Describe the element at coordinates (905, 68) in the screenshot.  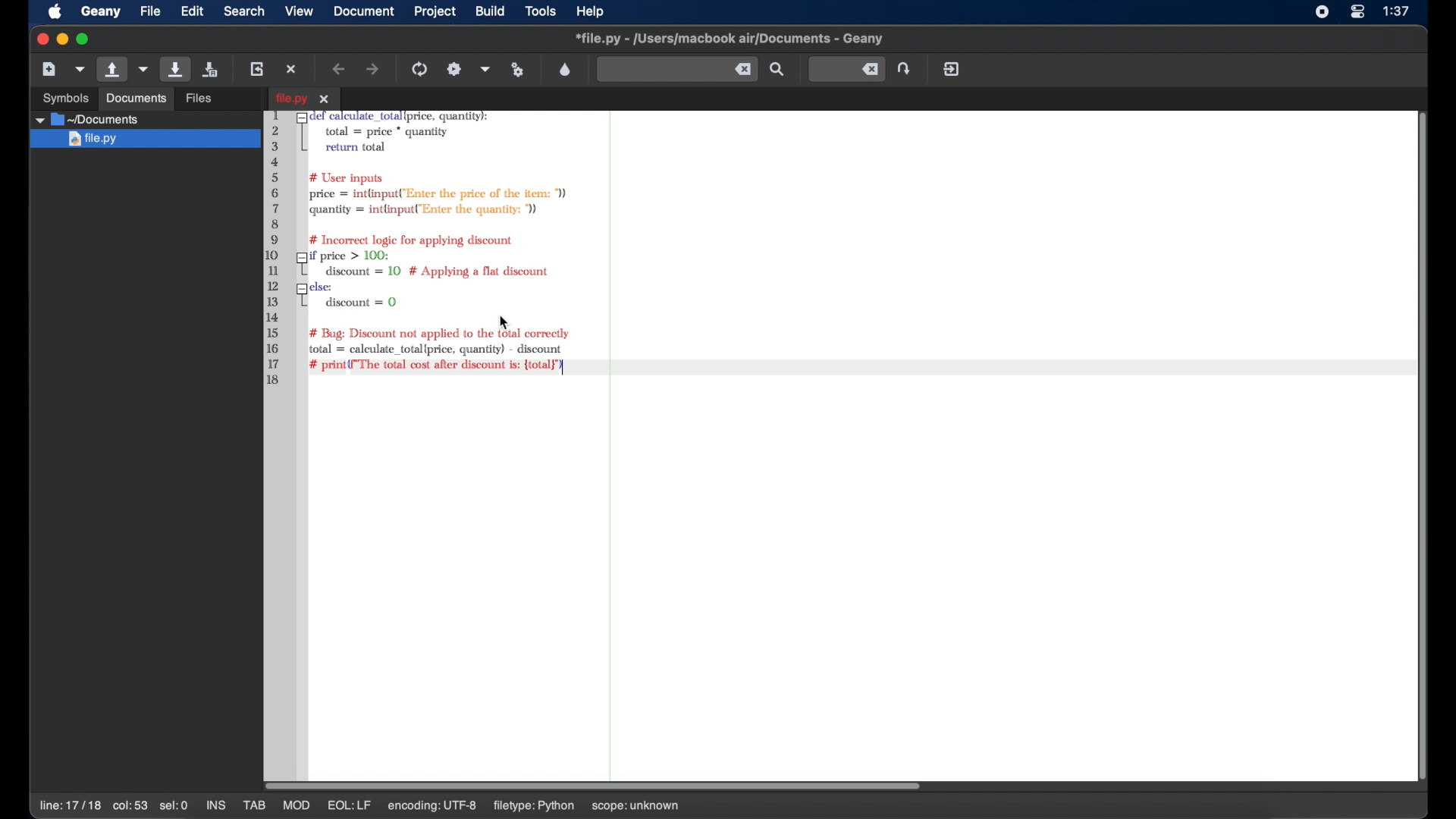
I see `jump to the entered line number` at that location.